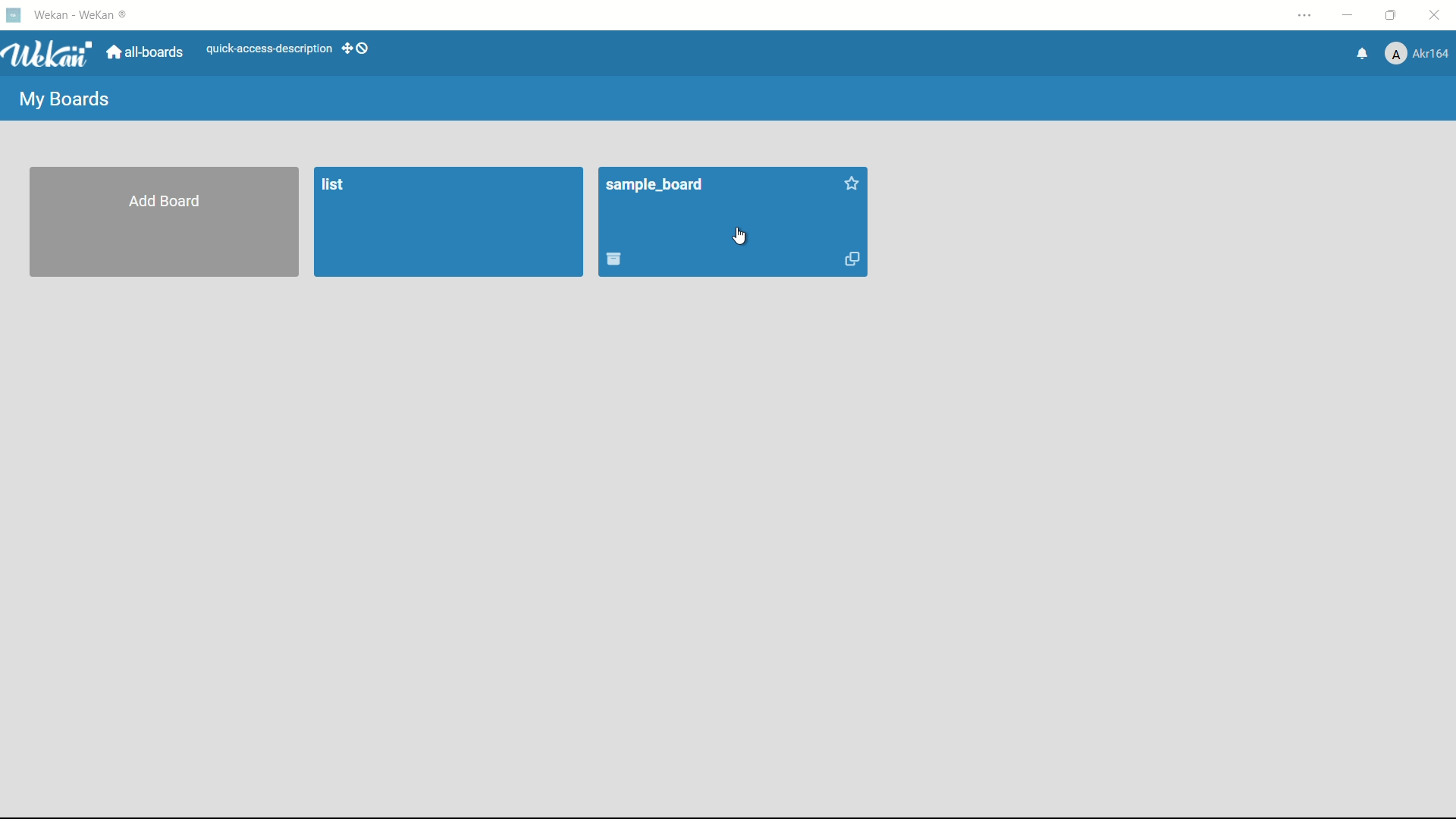 Image resolution: width=1456 pixels, height=819 pixels. What do you see at coordinates (849, 260) in the screenshot?
I see `duplicate board` at bounding box center [849, 260].